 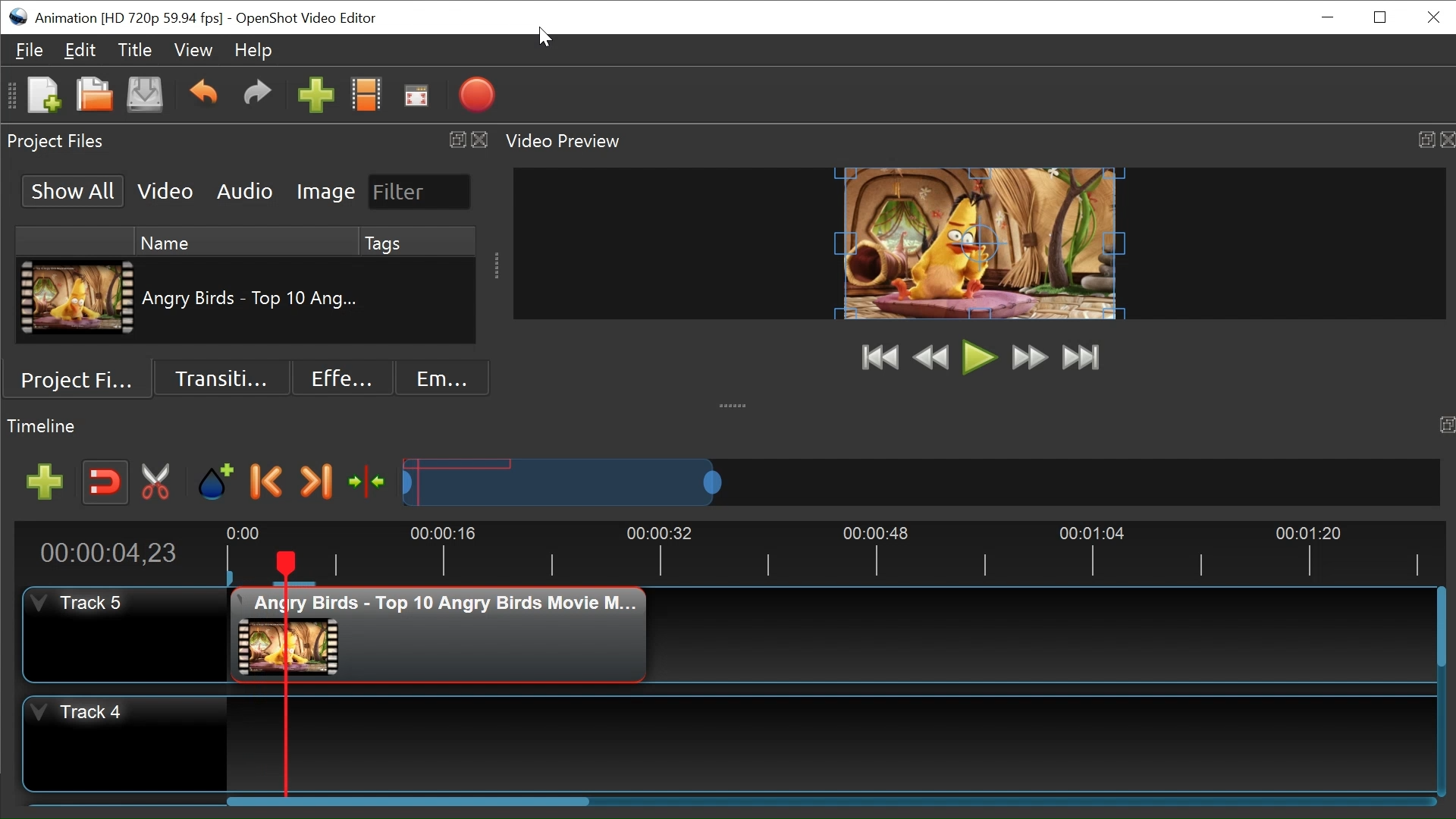 I want to click on Add Track, so click(x=44, y=482).